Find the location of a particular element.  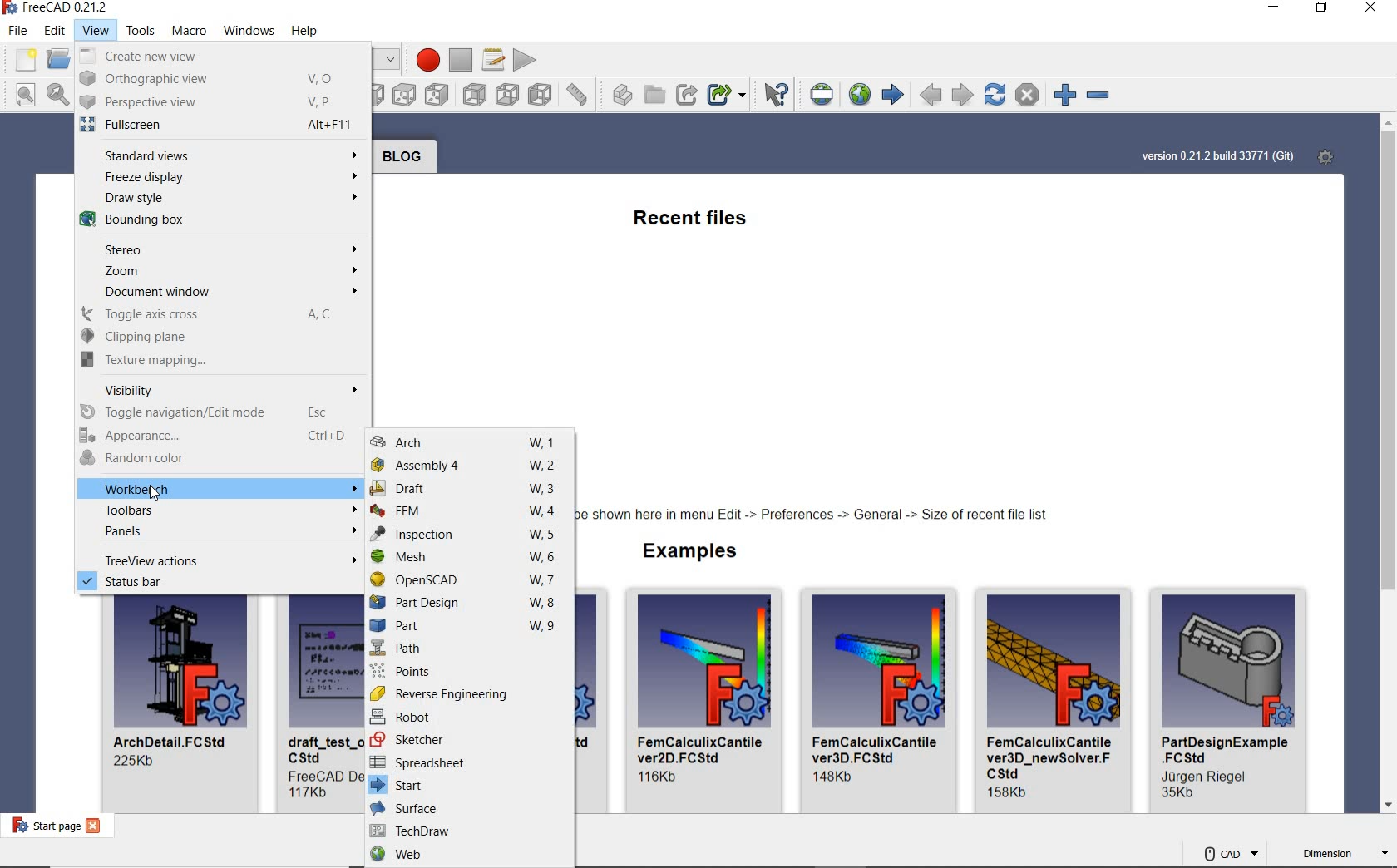

FemCalculix is located at coordinates (706, 700).